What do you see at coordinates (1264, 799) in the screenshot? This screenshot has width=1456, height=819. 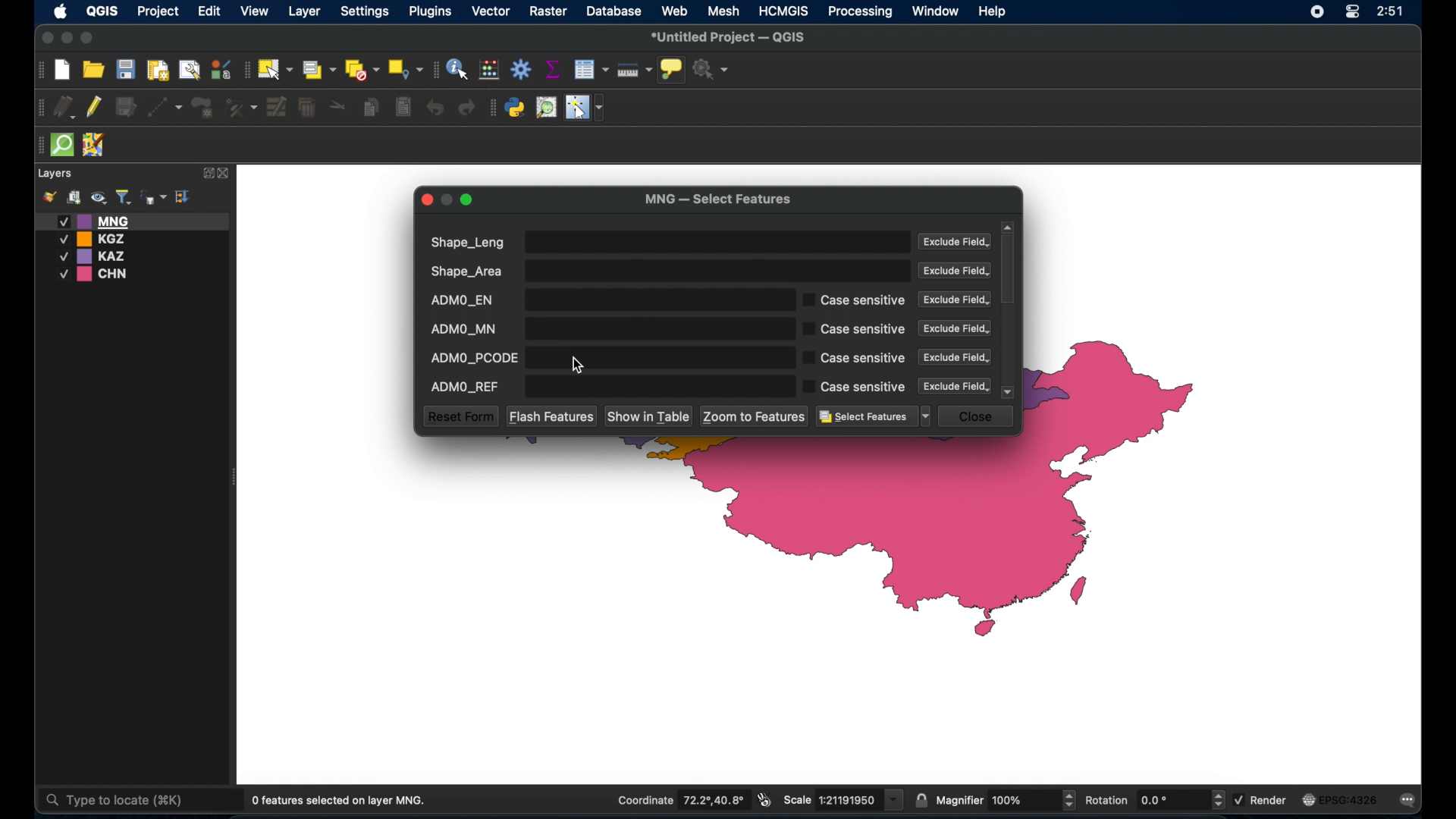 I see `render` at bounding box center [1264, 799].